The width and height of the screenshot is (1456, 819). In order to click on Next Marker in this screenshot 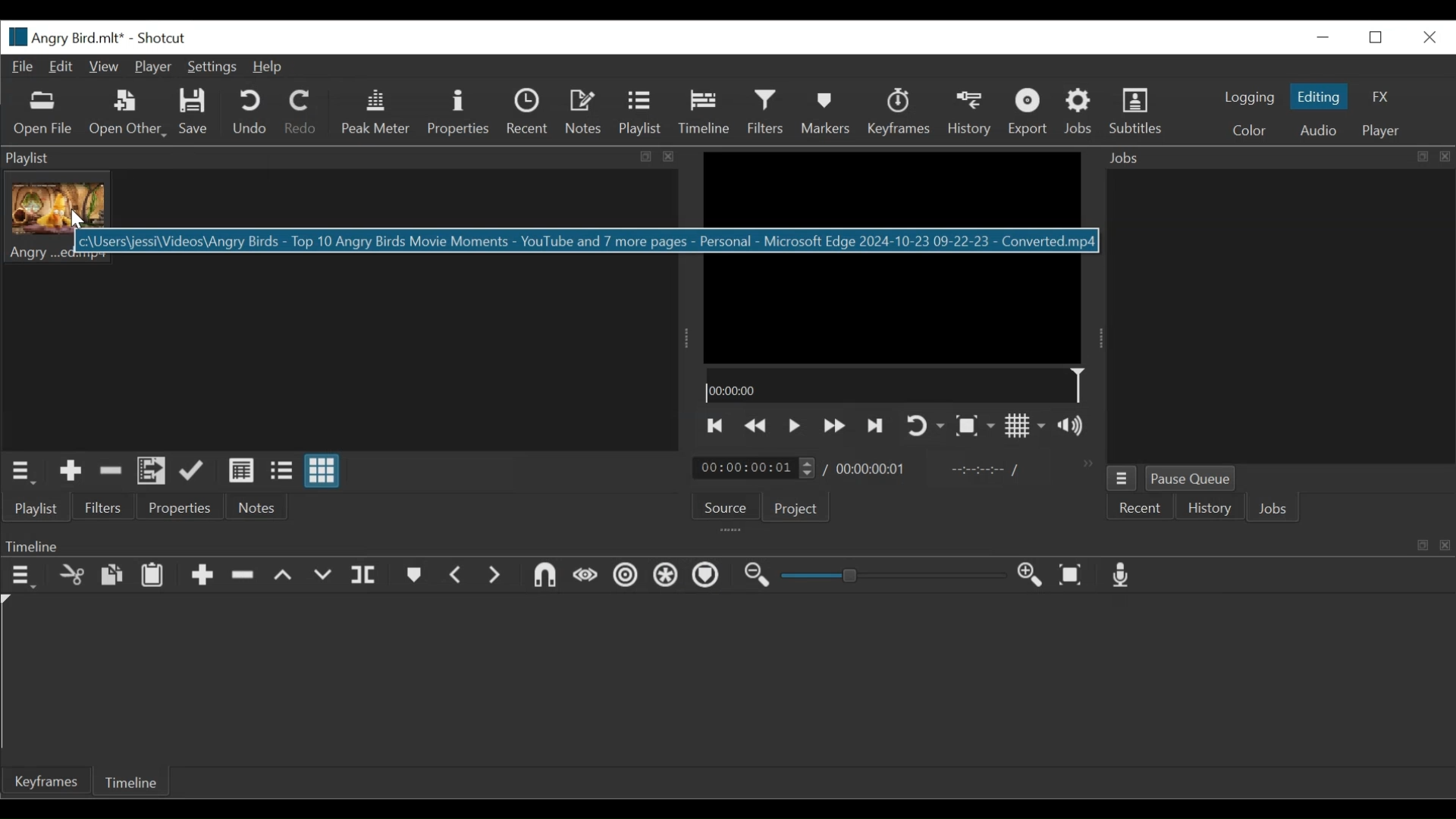, I will do `click(494, 576)`.